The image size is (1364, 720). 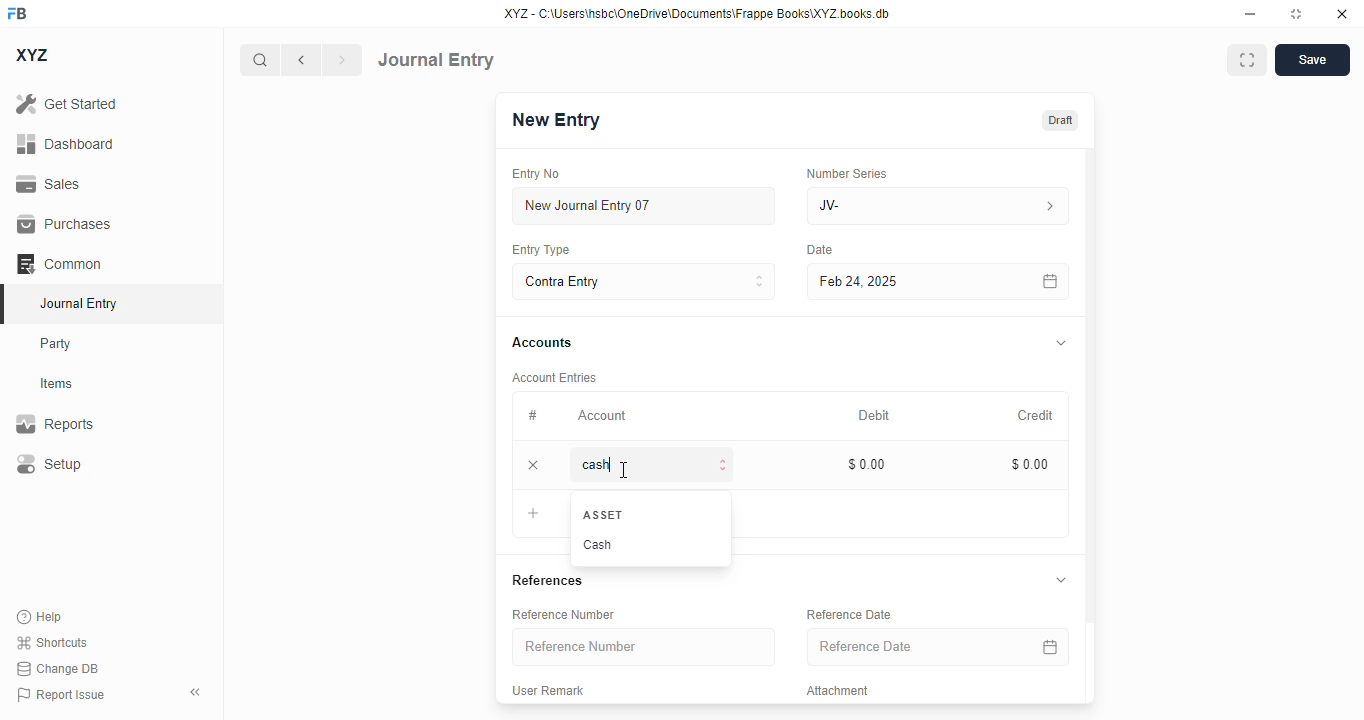 I want to click on purchases, so click(x=66, y=224).